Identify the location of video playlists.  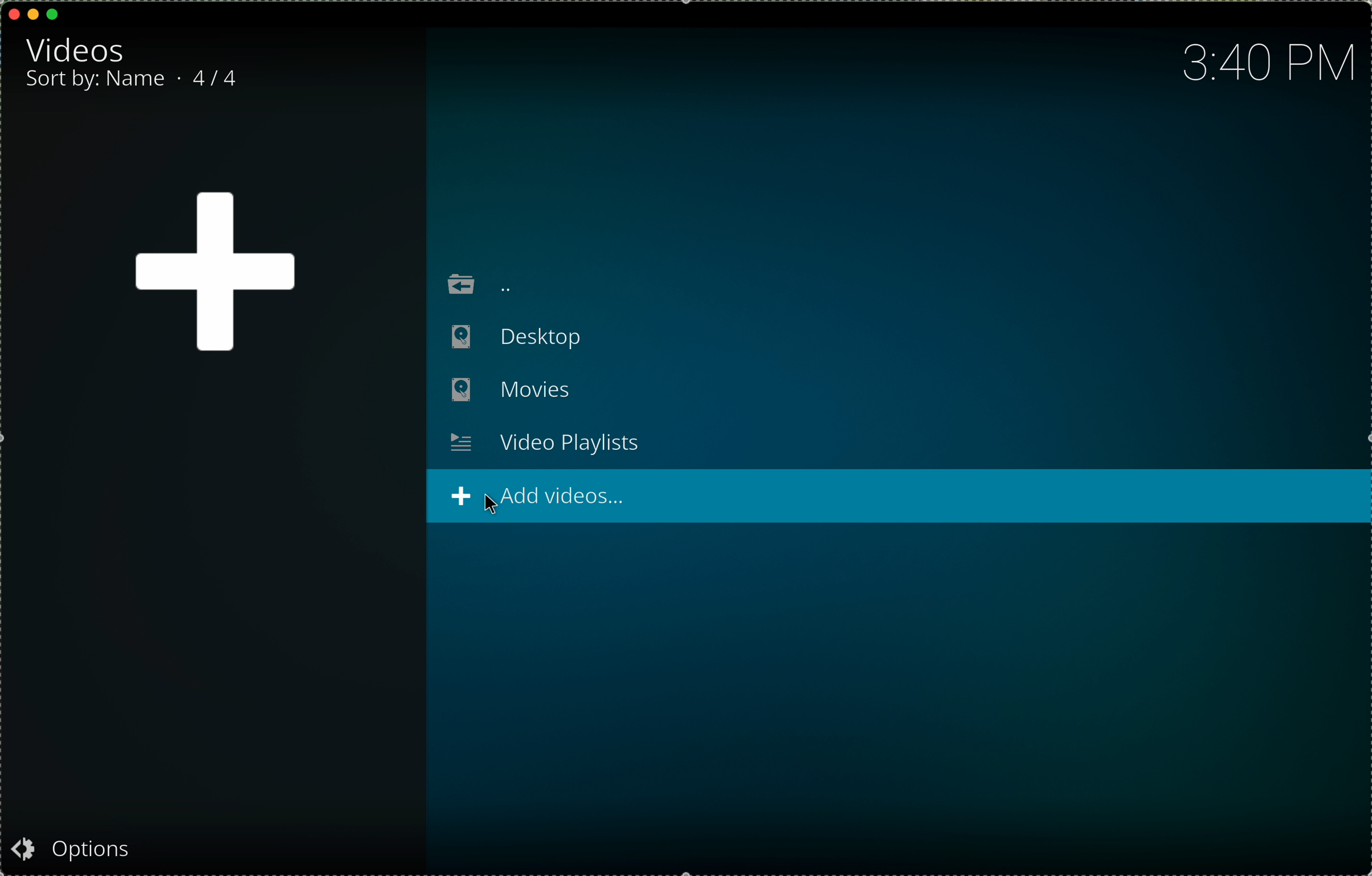
(545, 443).